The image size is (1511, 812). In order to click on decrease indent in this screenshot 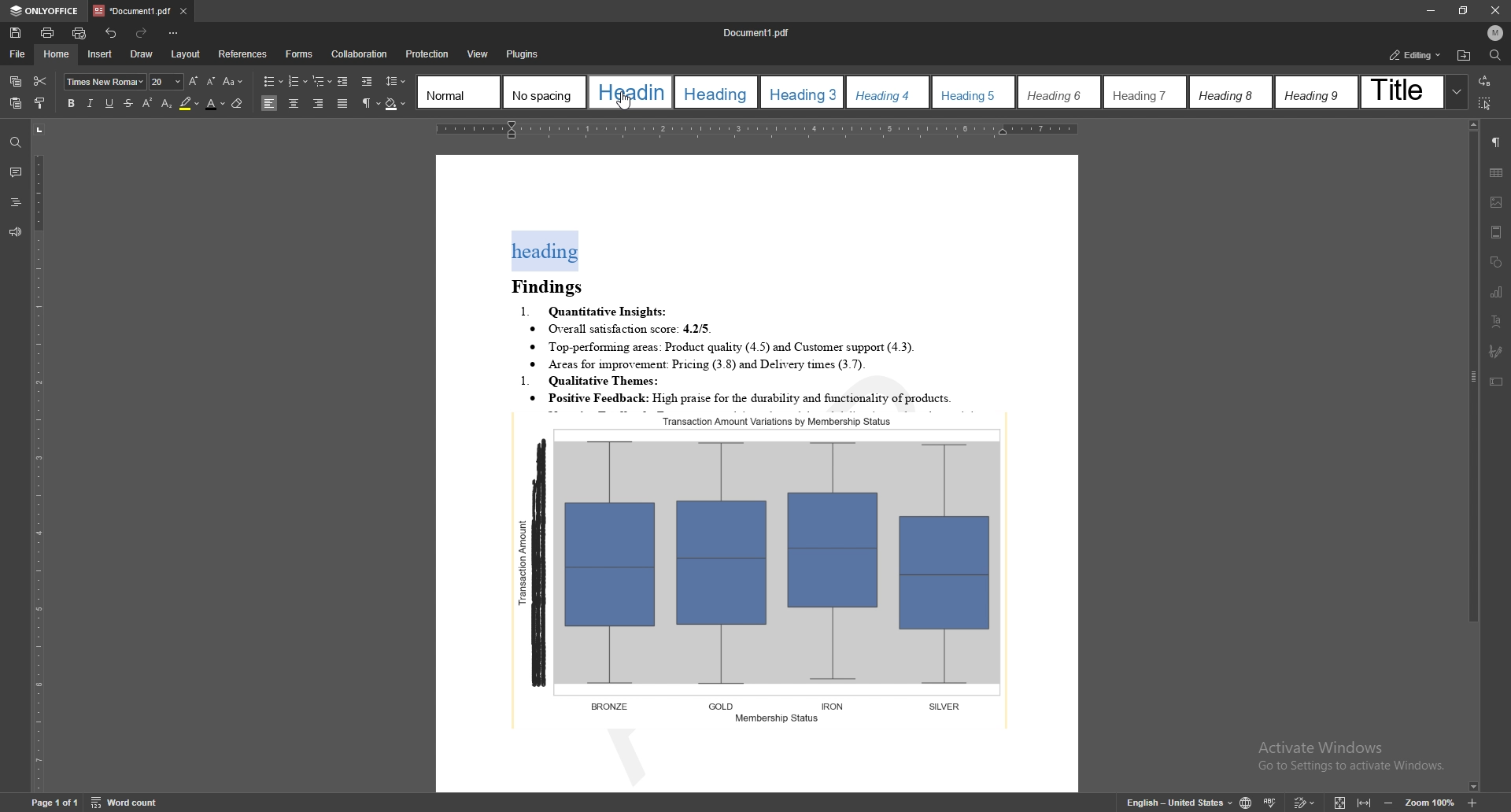, I will do `click(343, 81)`.